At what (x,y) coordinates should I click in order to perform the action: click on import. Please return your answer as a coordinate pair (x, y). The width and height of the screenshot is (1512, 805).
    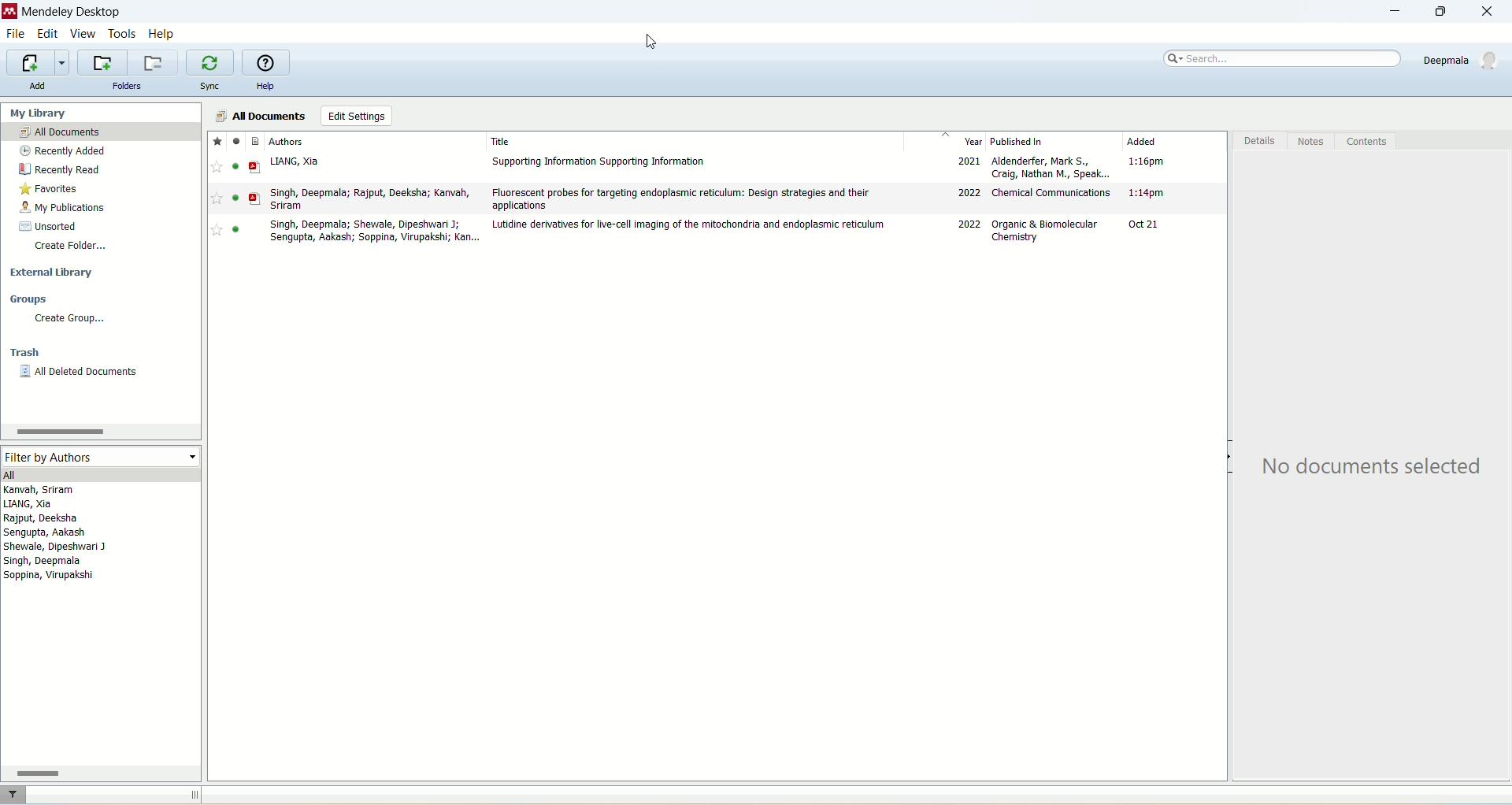
    Looking at the image, I should click on (38, 63).